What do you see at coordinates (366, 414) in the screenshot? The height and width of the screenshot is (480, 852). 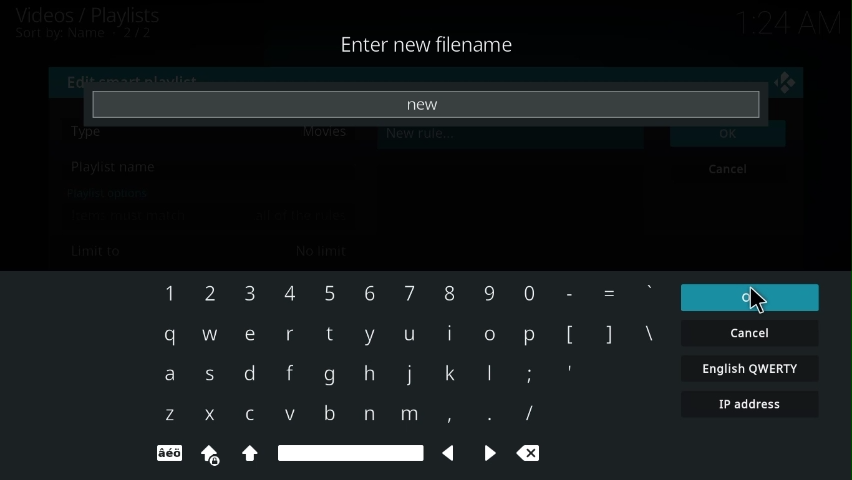 I see `n` at bounding box center [366, 414].